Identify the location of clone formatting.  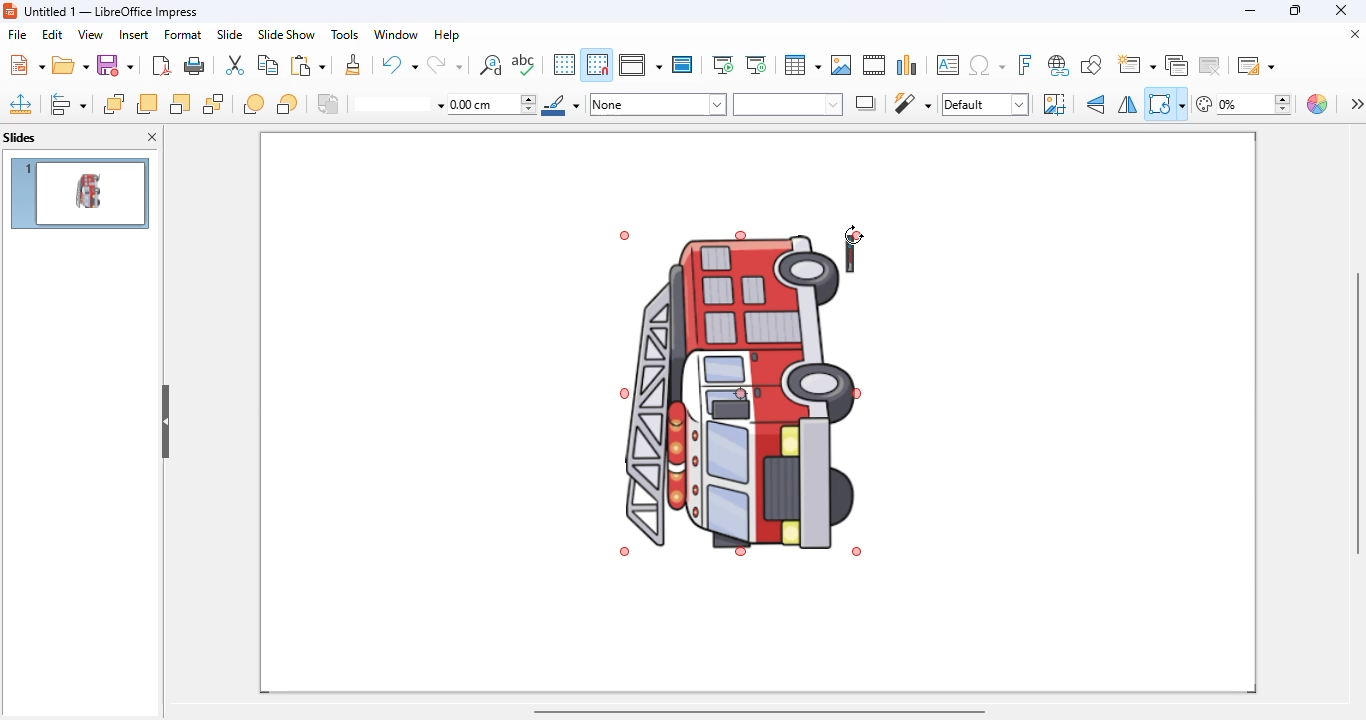
(353, 65).